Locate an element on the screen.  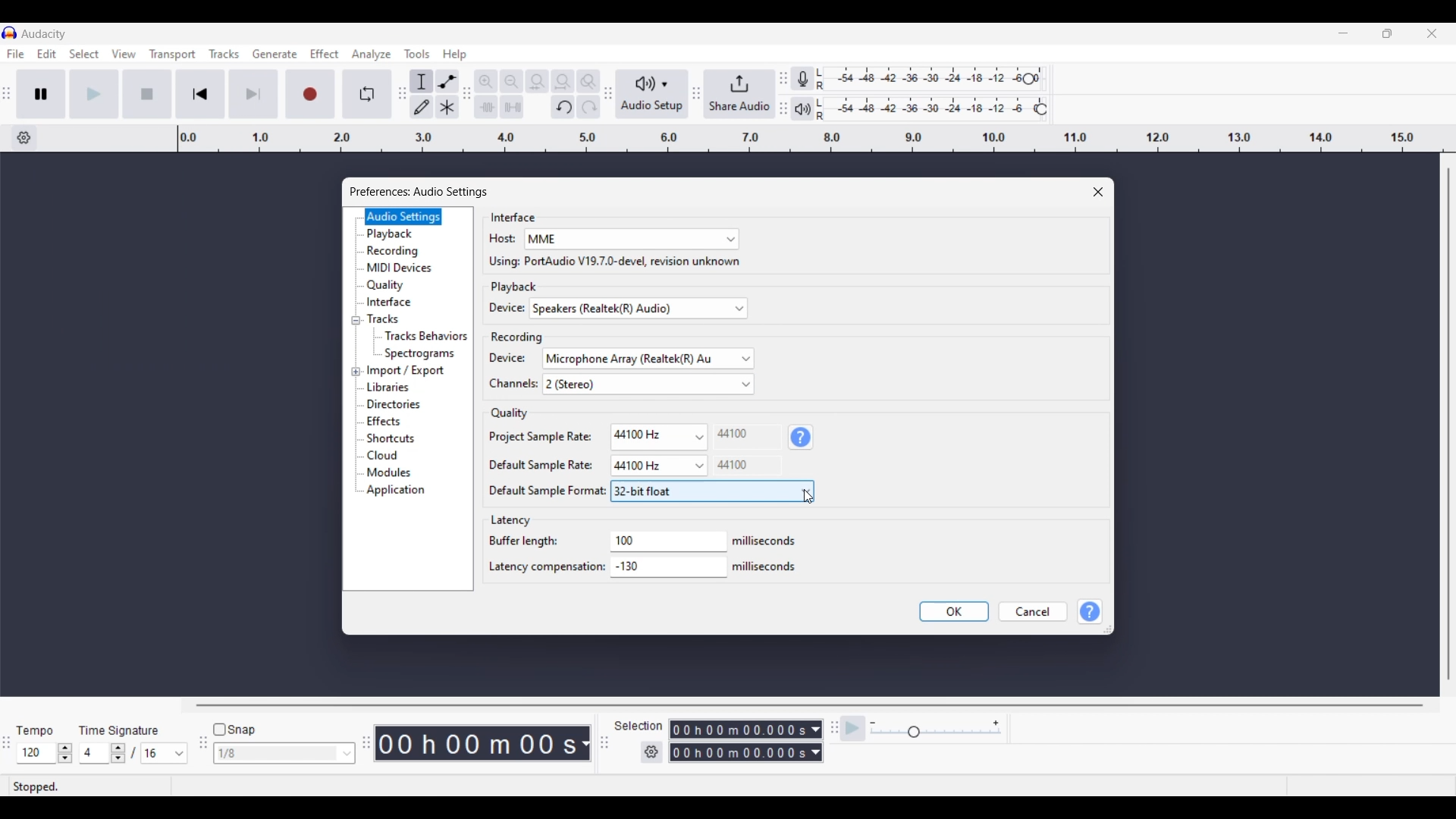
| Project Sample Rate: is located at coordinates (535, 436).